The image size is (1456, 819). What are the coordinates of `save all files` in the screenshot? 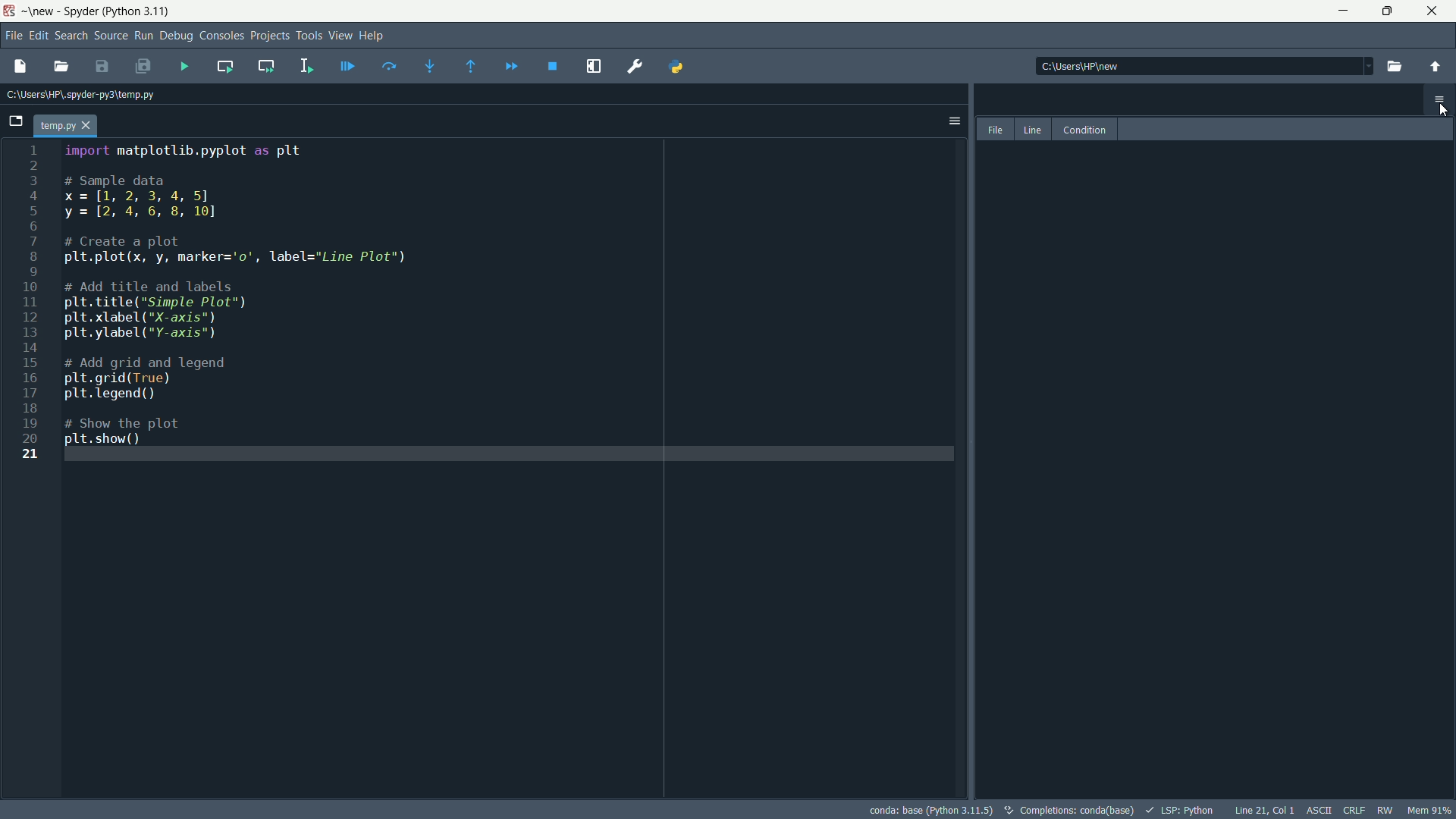 It's located at (146, 68).